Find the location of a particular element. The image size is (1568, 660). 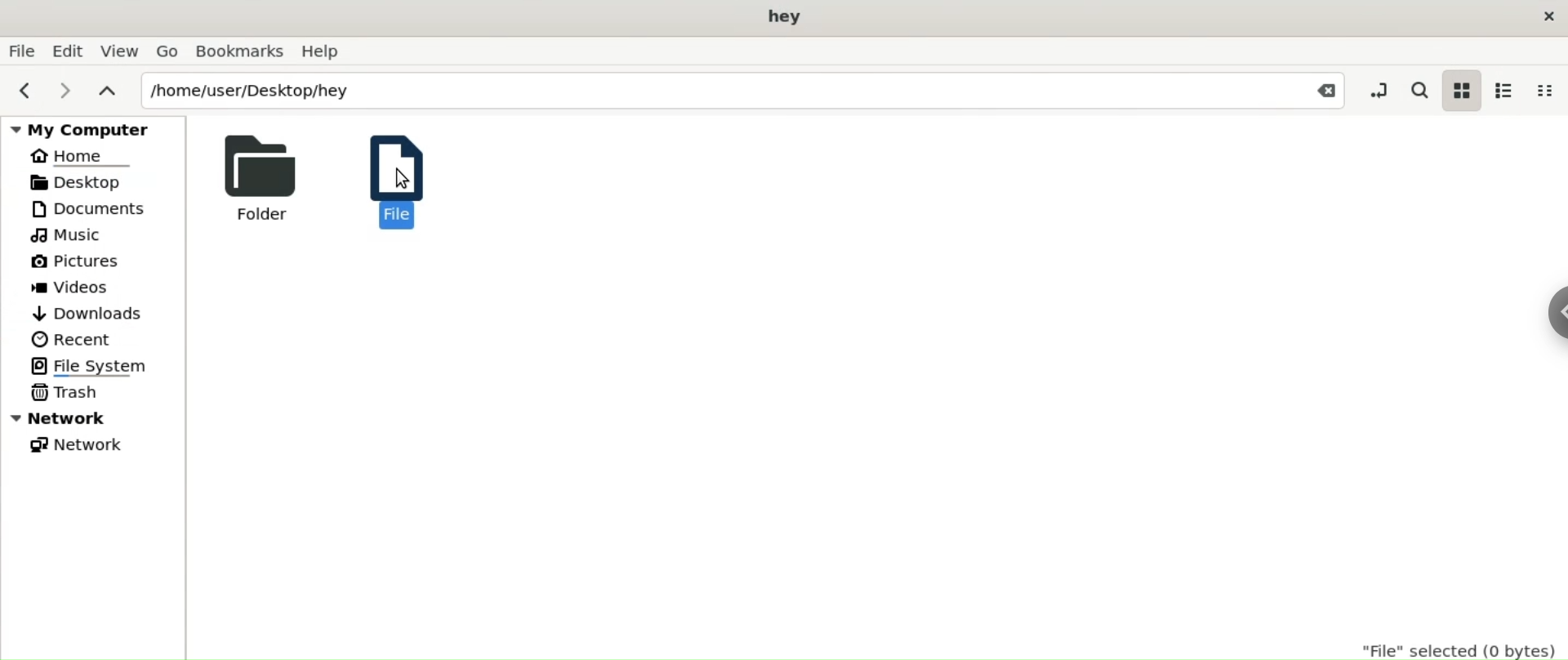

View is located at coordinates (121, 52).